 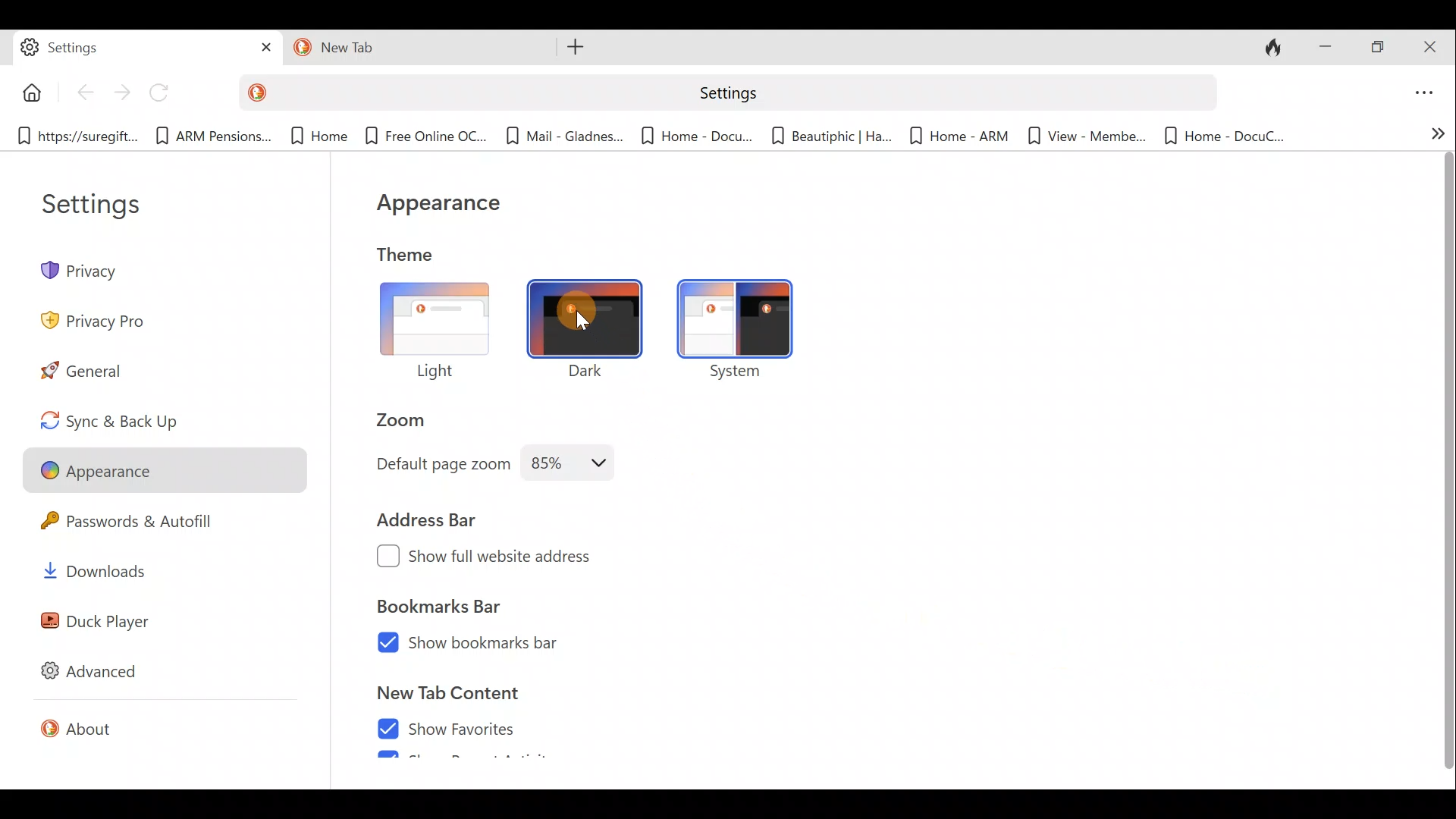 What do you see at coordinates (491, 554) in the screenshot?
I see `Show full website address` at bounding box center [491, 554].